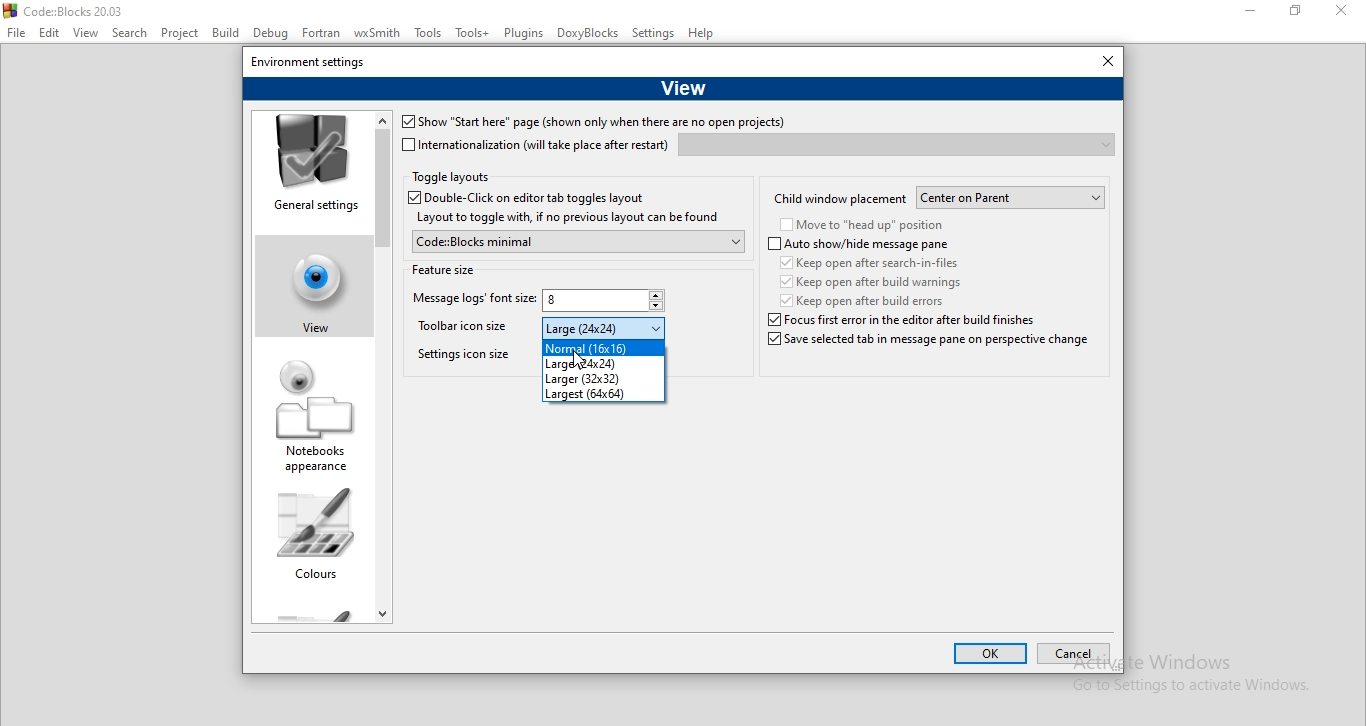  I want to click on Toolbar icon size: Large (24x24), so click(467, 330).